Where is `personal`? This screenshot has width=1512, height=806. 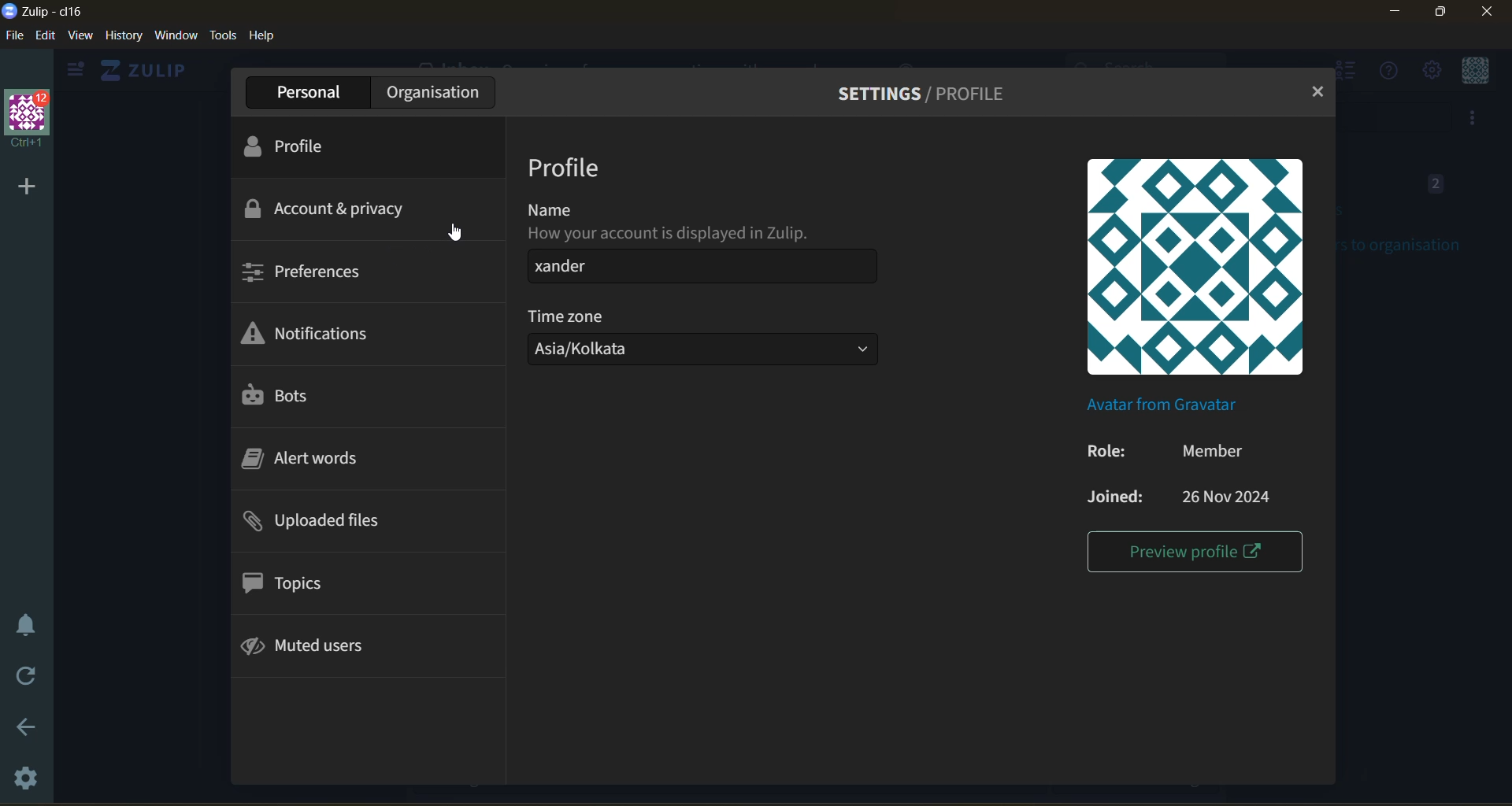
personal is located at coordinates (309, 93).